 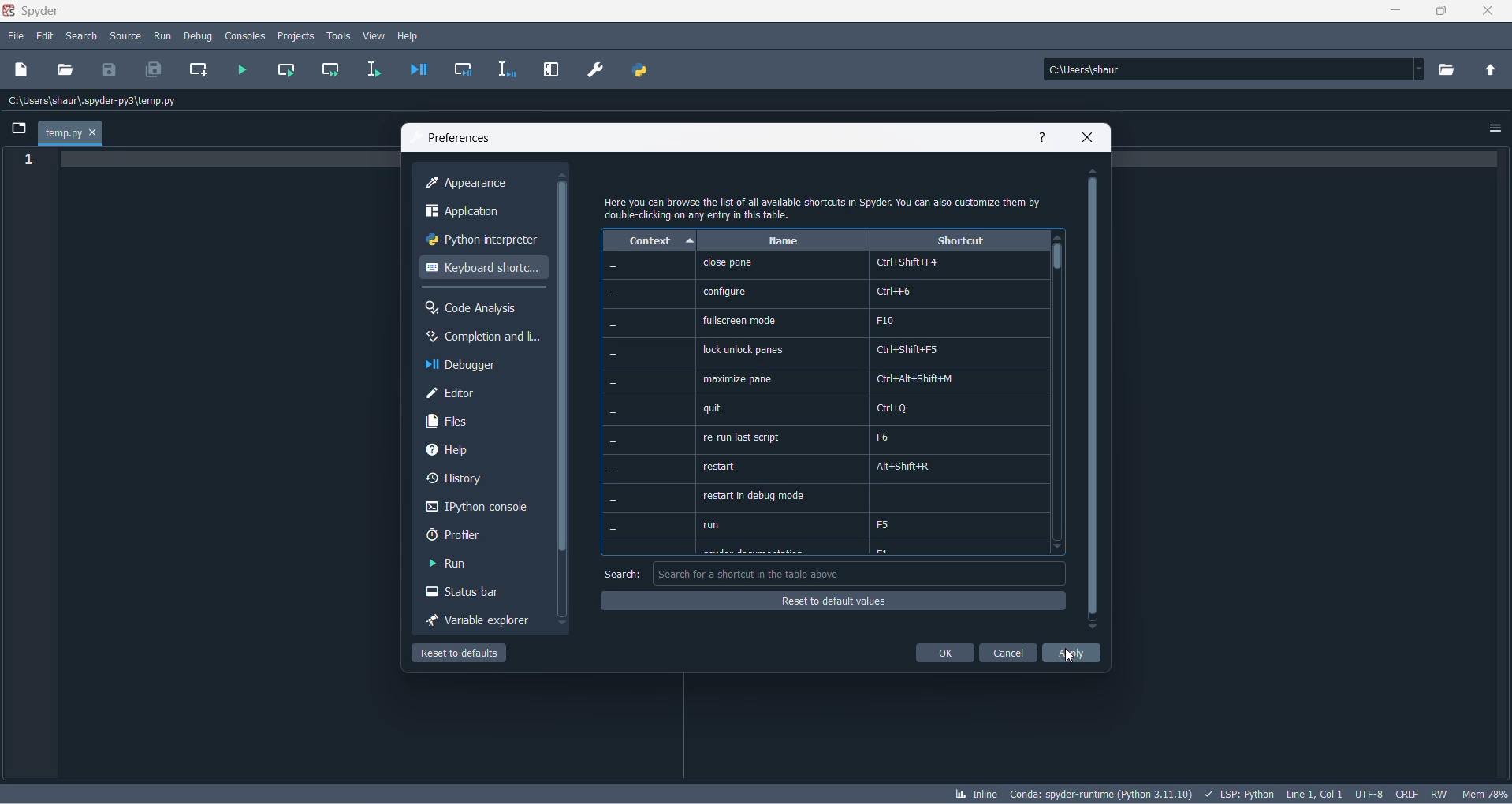 What do you see at coordinates (753, 497) in the screenshot?
I see `restart in debug mode` at bounding box center [753, 497].